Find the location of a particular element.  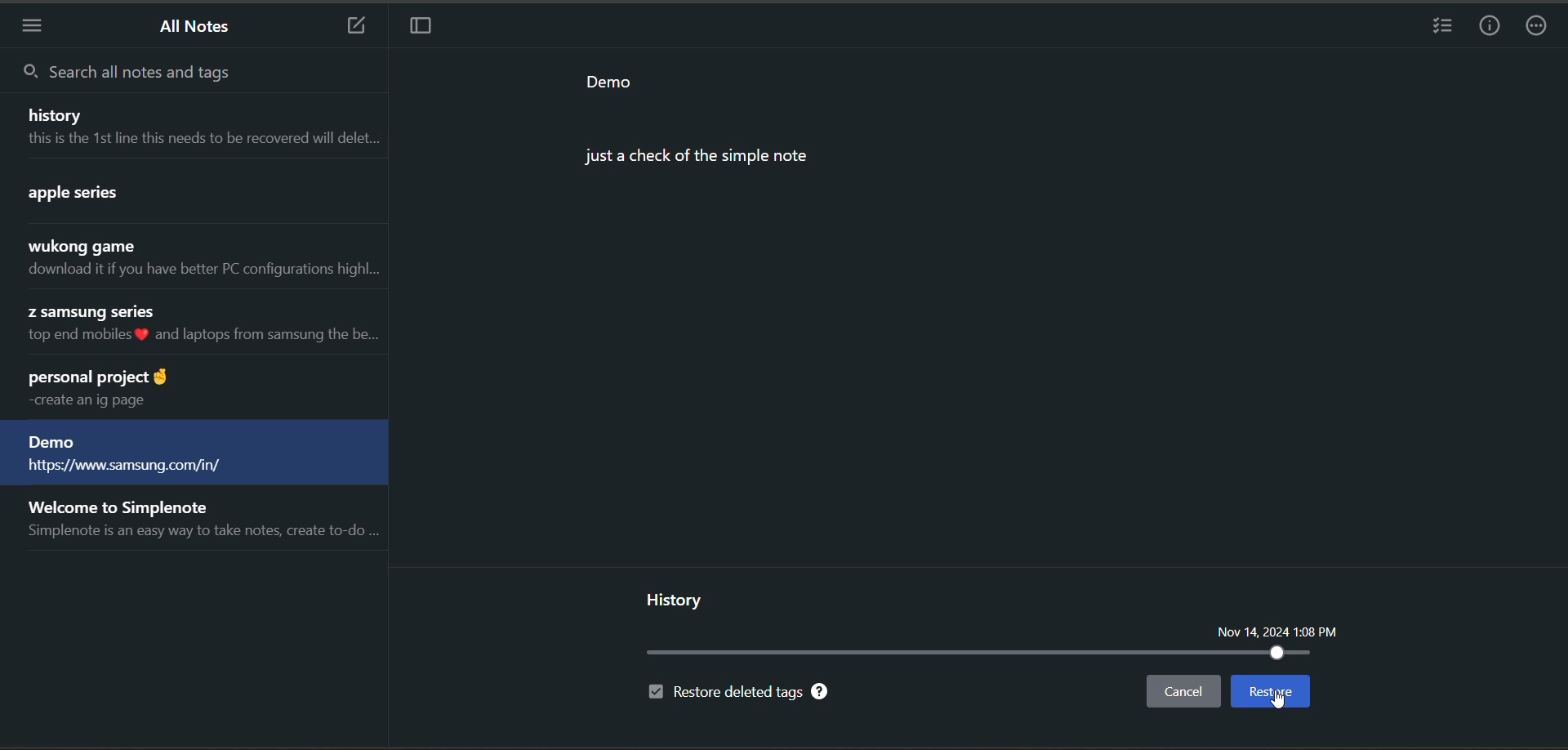

menu is located at coordinates (33, 28).